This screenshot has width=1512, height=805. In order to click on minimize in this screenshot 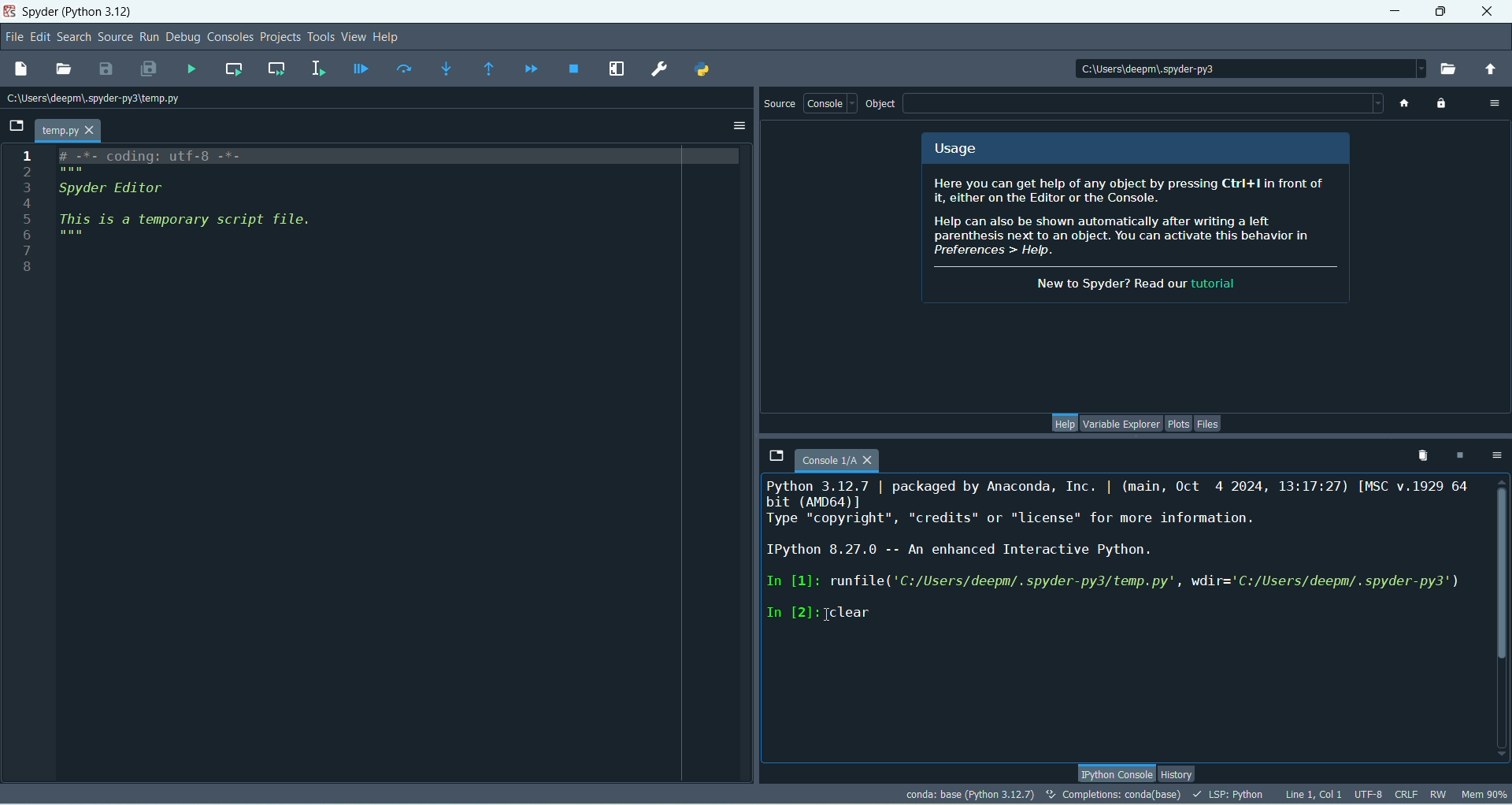, I will do `click(1397, 12)`.